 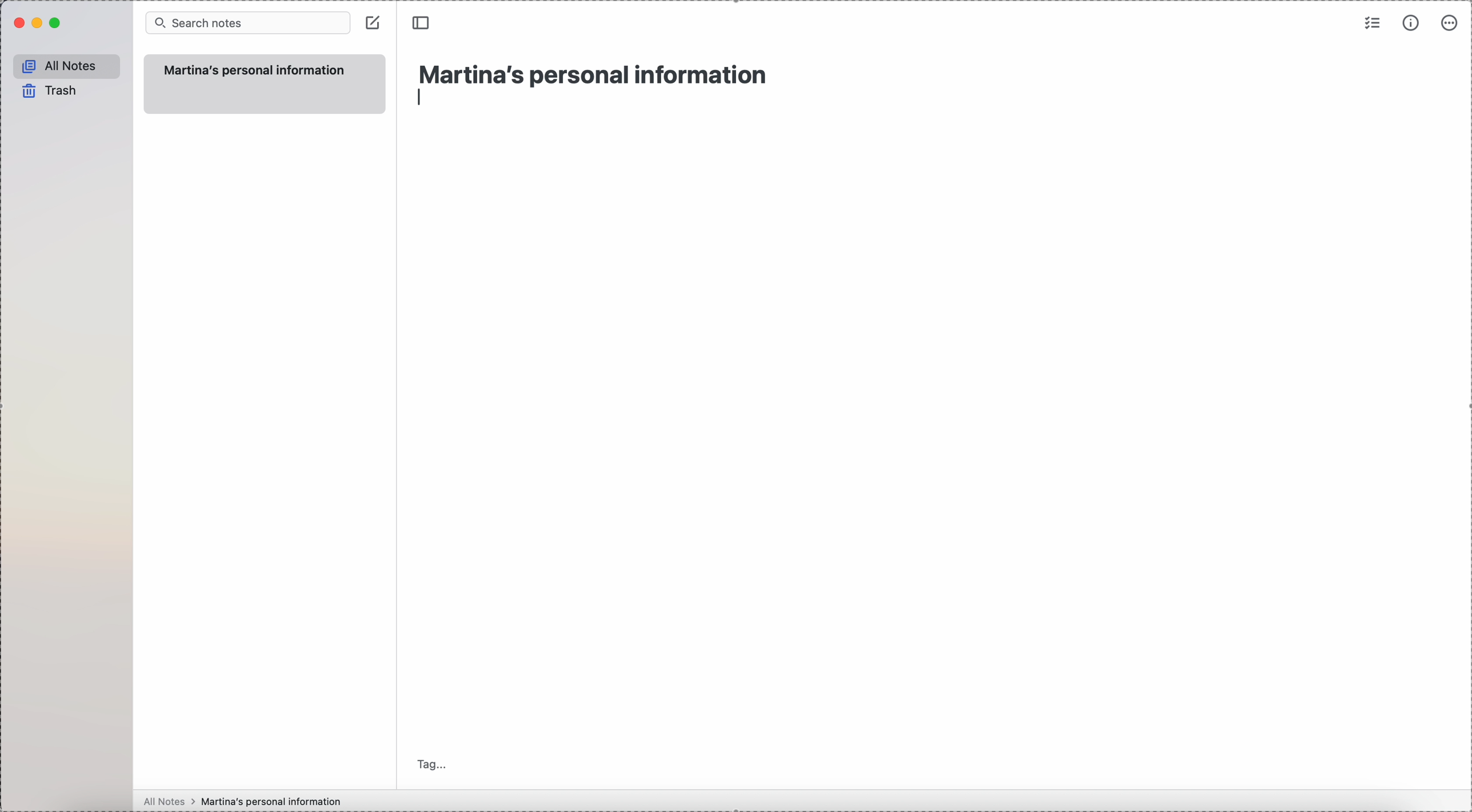 I want to click on tag, so click(x=434, y=763).